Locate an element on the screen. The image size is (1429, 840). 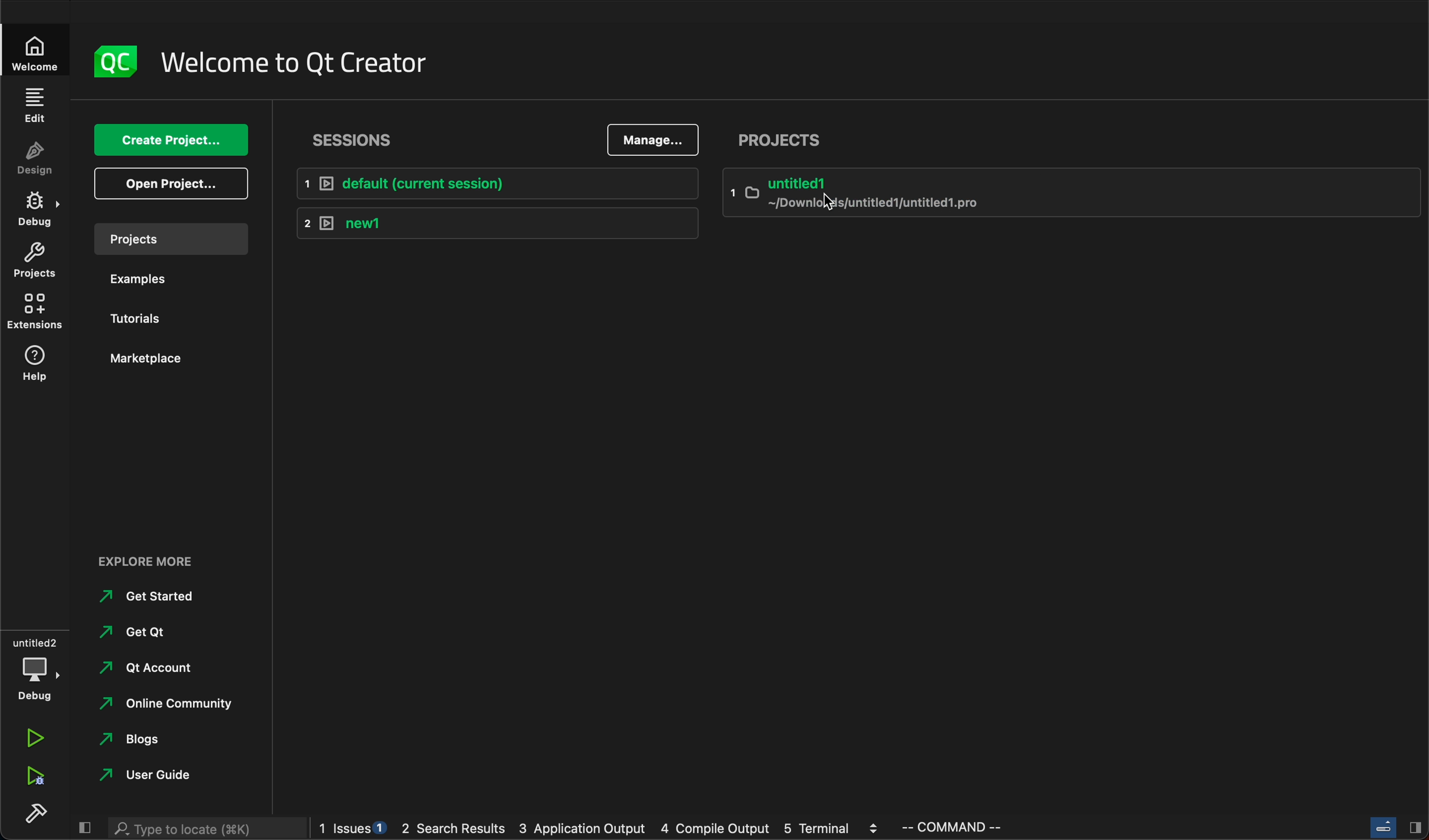
edit is located at coordinates (35, 101).